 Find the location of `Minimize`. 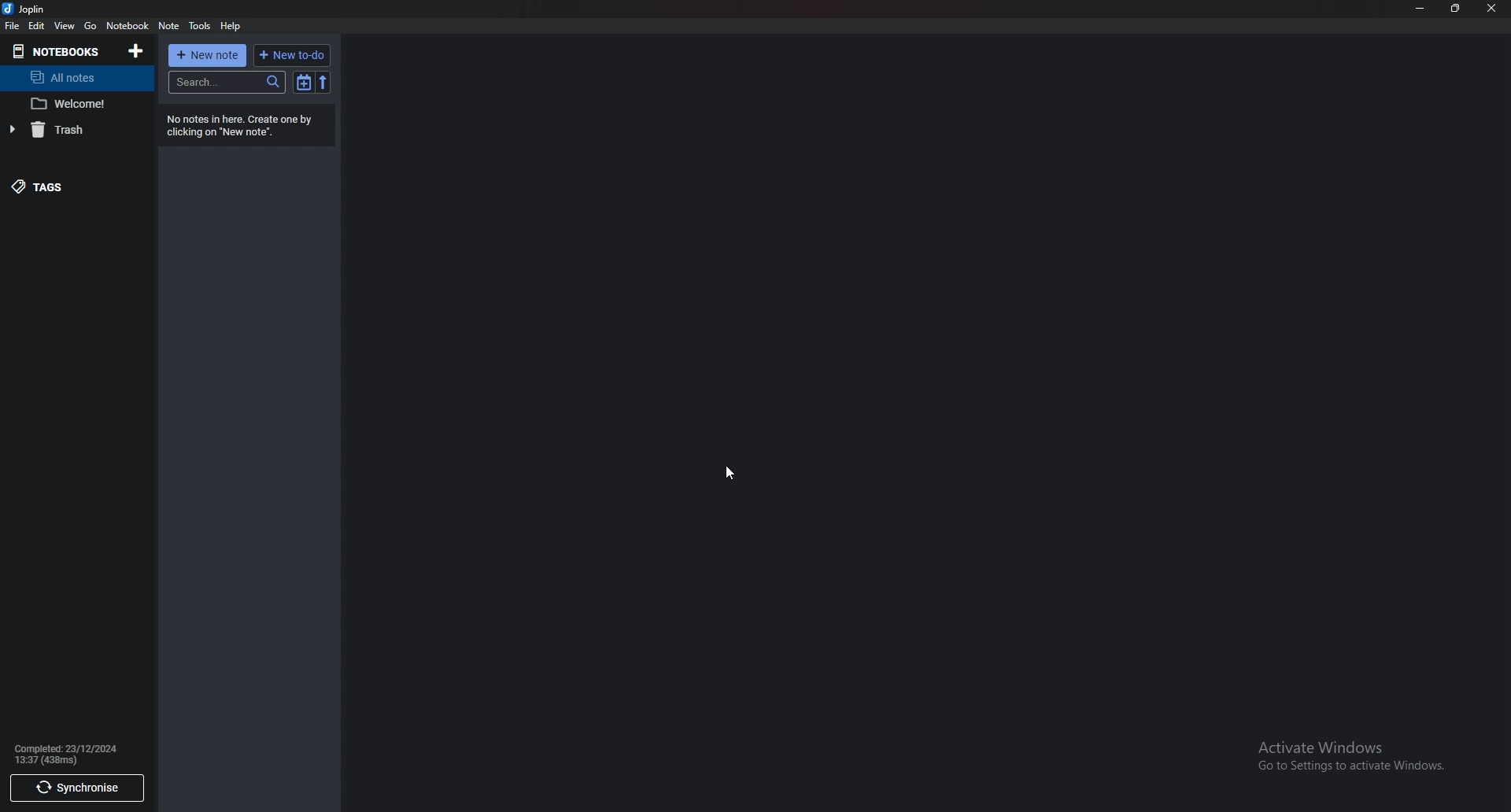

Minimize is located at coordinates (1420, 8).